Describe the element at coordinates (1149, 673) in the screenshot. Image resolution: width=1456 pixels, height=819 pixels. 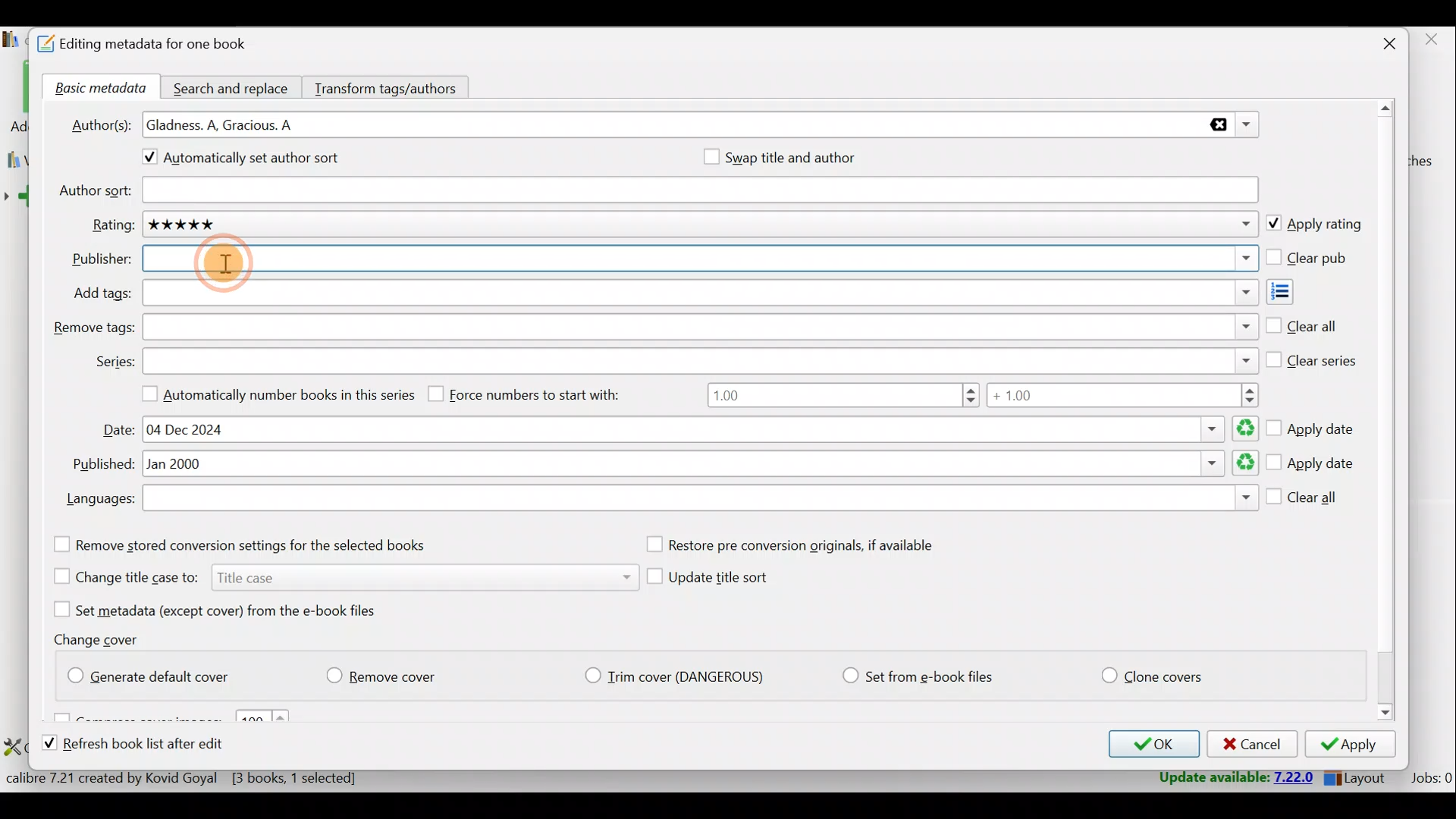
I see `Clone covers` at that location.